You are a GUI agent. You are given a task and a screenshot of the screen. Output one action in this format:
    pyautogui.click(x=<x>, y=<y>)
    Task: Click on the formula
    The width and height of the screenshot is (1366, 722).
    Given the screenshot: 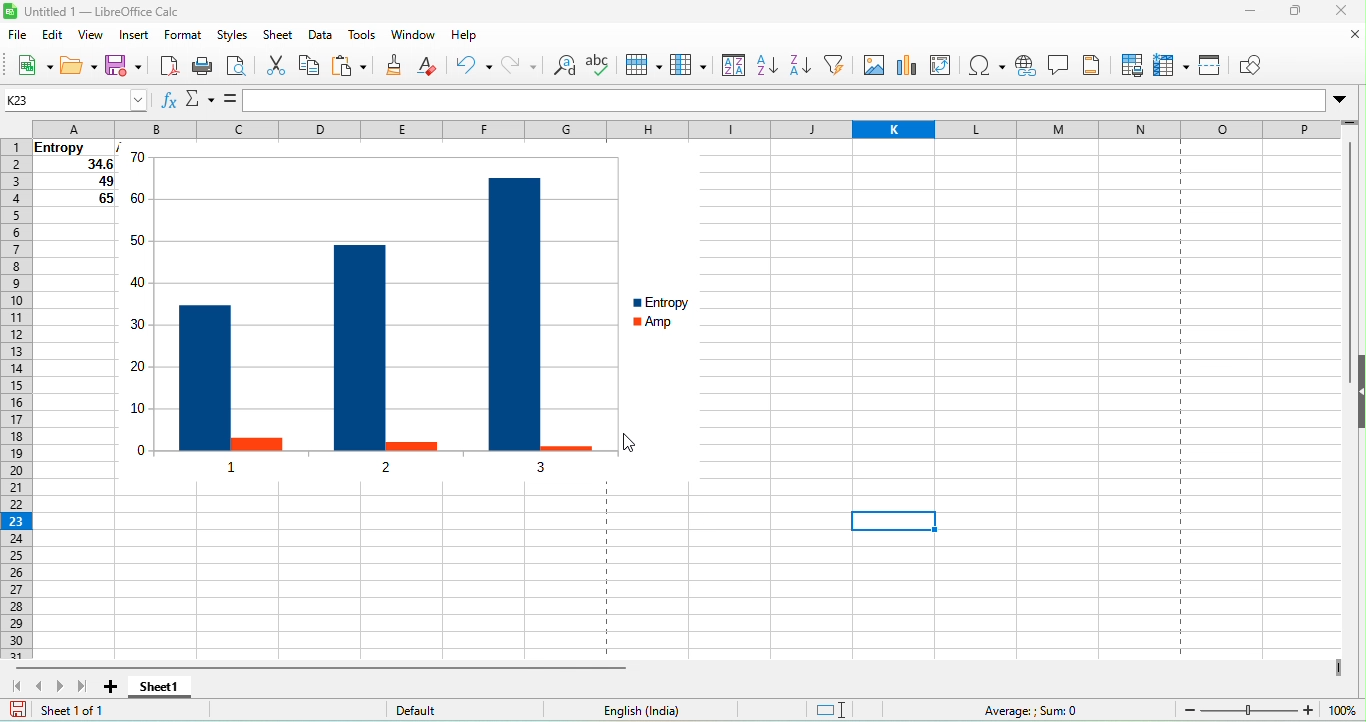 What is the action you would take?
    pyautogui.click(x=228, y=100)
    